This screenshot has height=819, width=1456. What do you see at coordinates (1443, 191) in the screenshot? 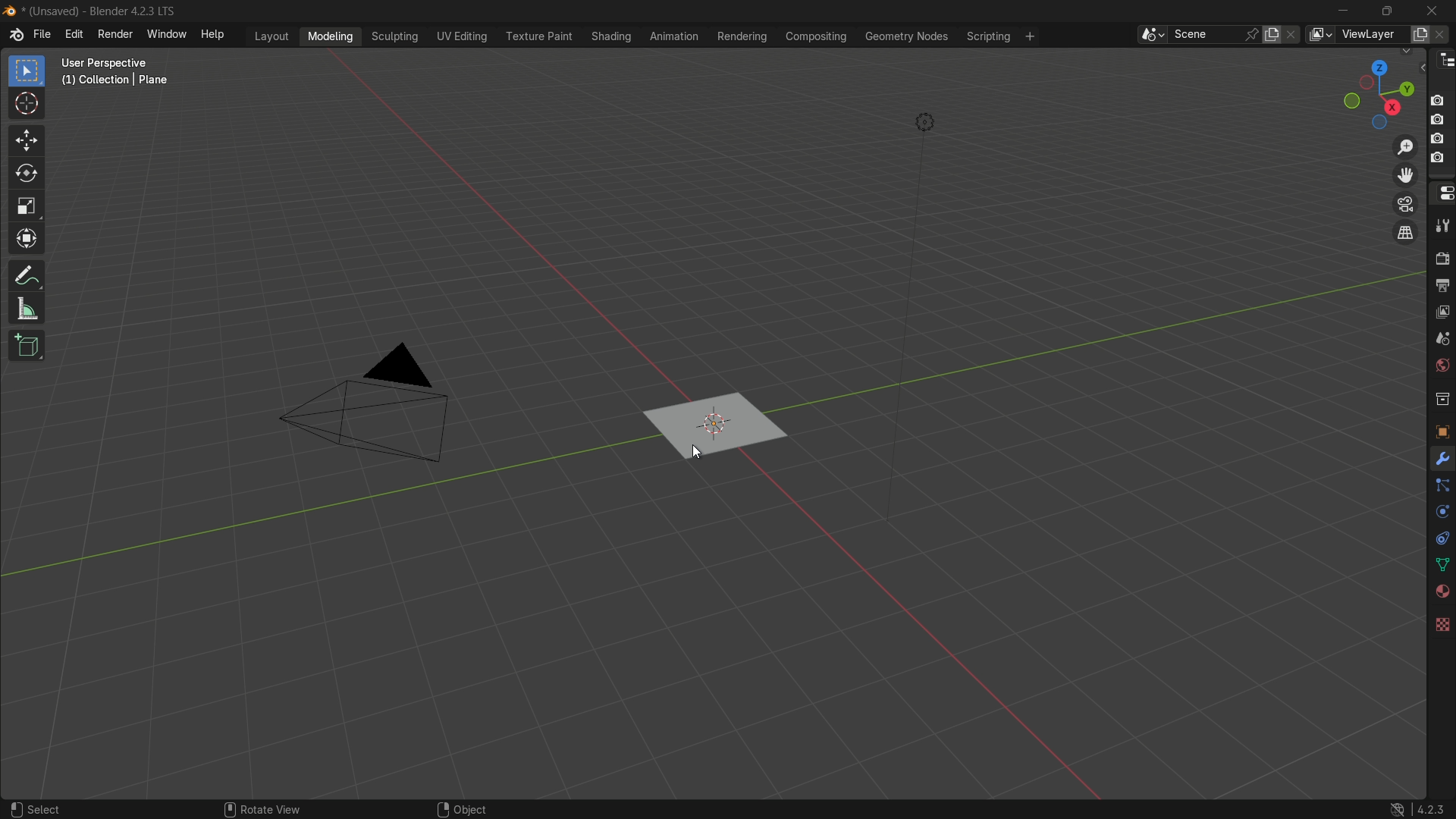
I see `properties` at bounding box center [1443, 191].